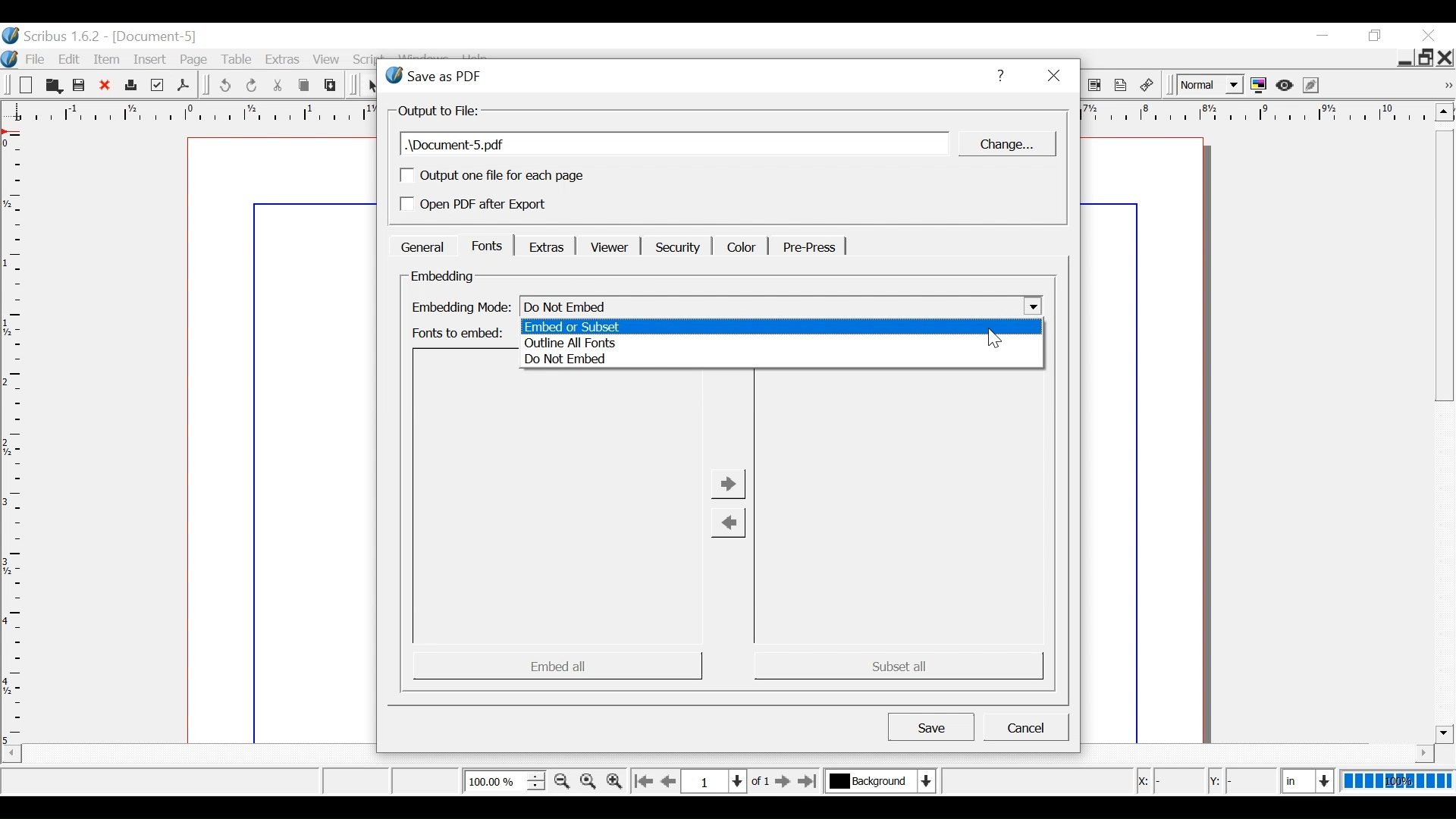 Image resolution: width=1456 pixels, height=819 pixels. What do you see at coordinates (730, 780) in the screenshot?
I see `Current position` at bounding box center [730, 780].